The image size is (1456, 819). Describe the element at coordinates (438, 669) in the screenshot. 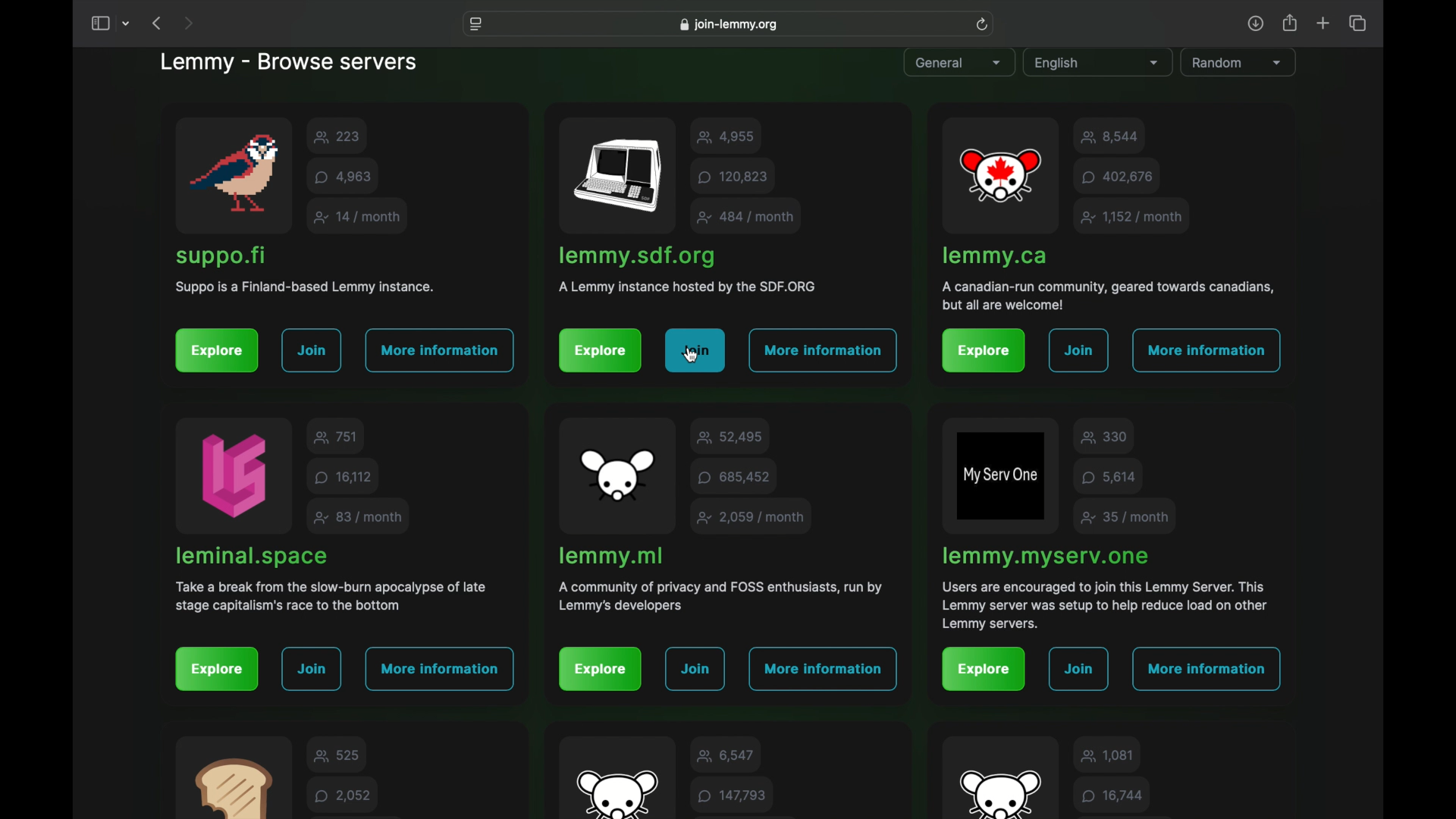

I see `more information` at that location.